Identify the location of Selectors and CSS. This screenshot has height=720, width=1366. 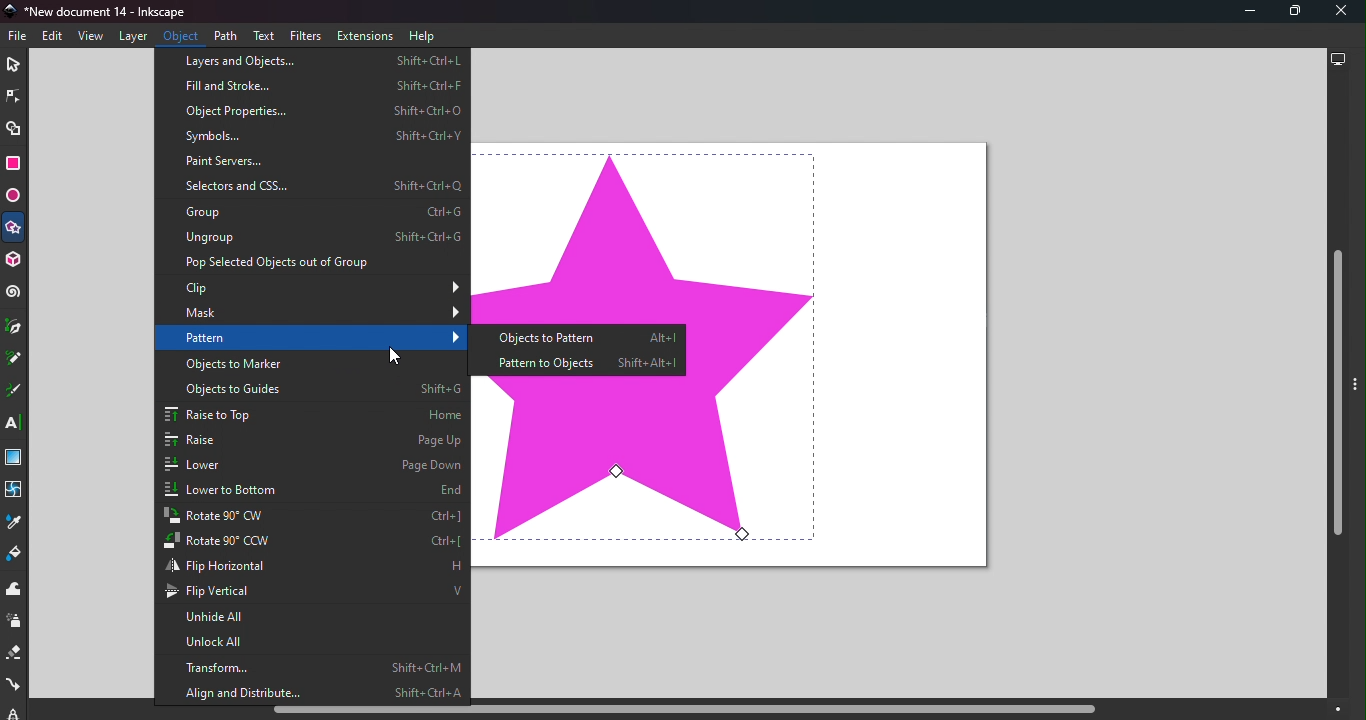
(323, 187).